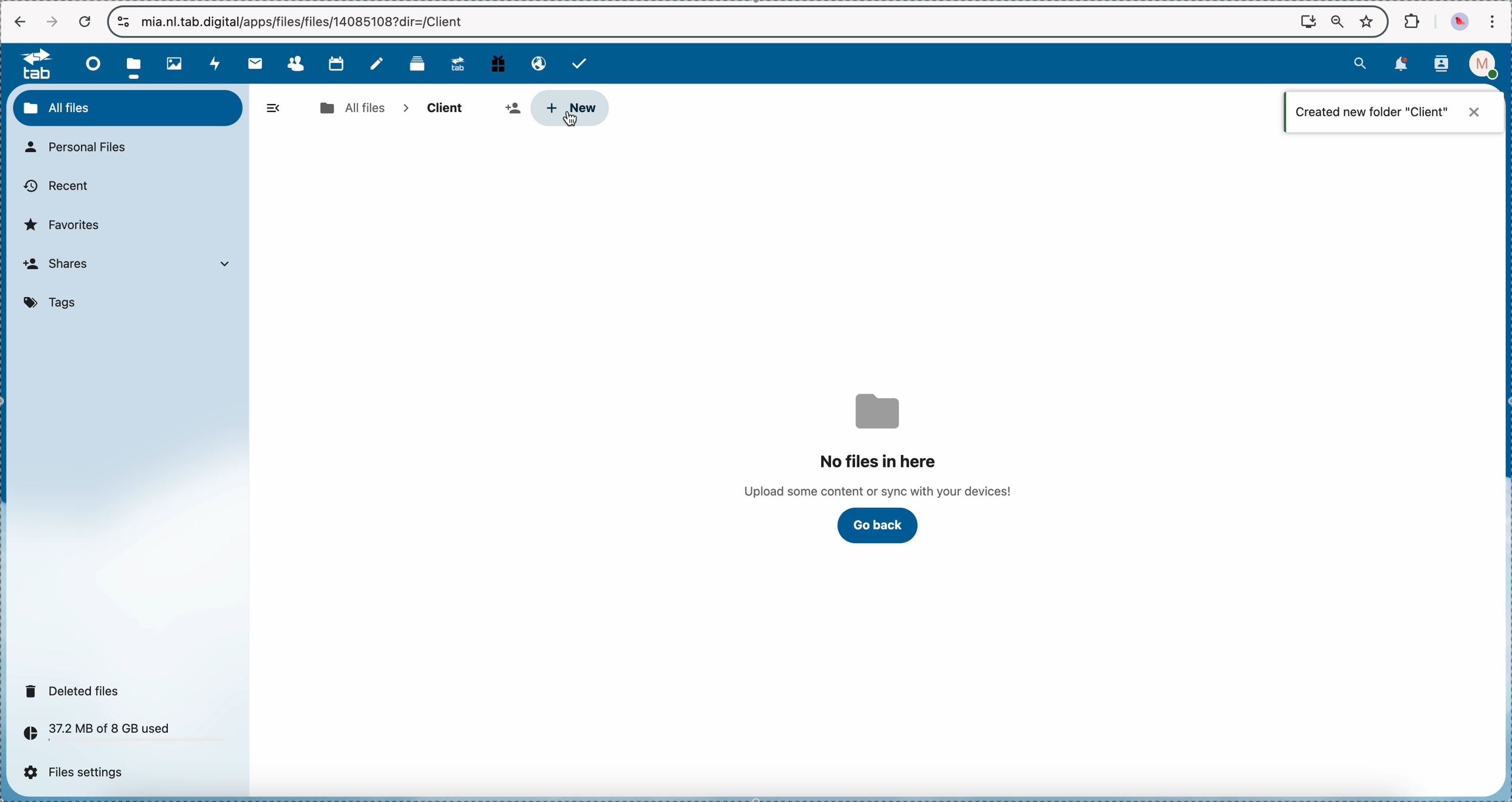  What do you see at coordinates (132, 265) in the screenshot?
I see `shares` at bounding box center [132, 265].